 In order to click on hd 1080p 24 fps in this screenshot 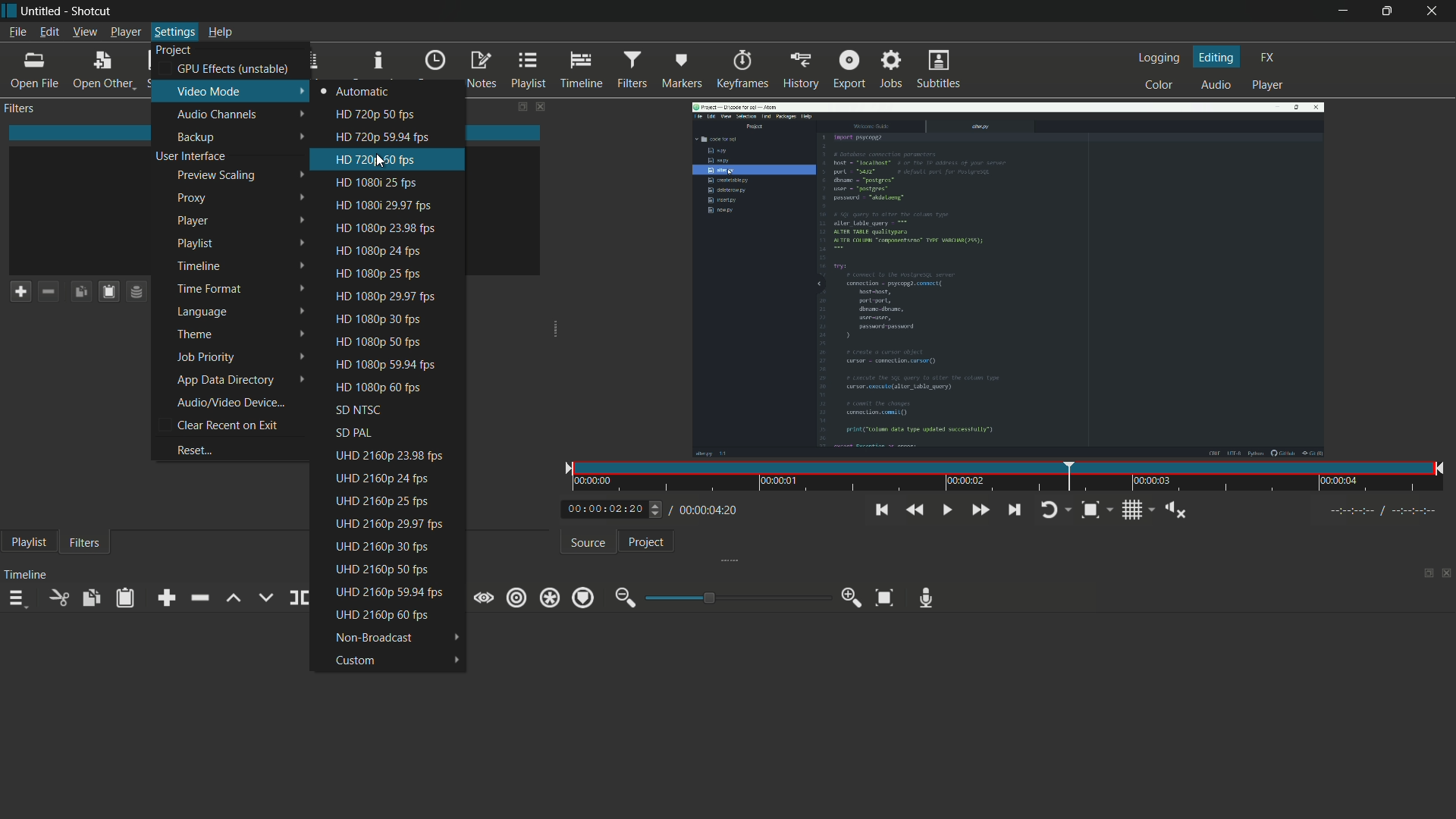, I will do `click(393, 249)`.